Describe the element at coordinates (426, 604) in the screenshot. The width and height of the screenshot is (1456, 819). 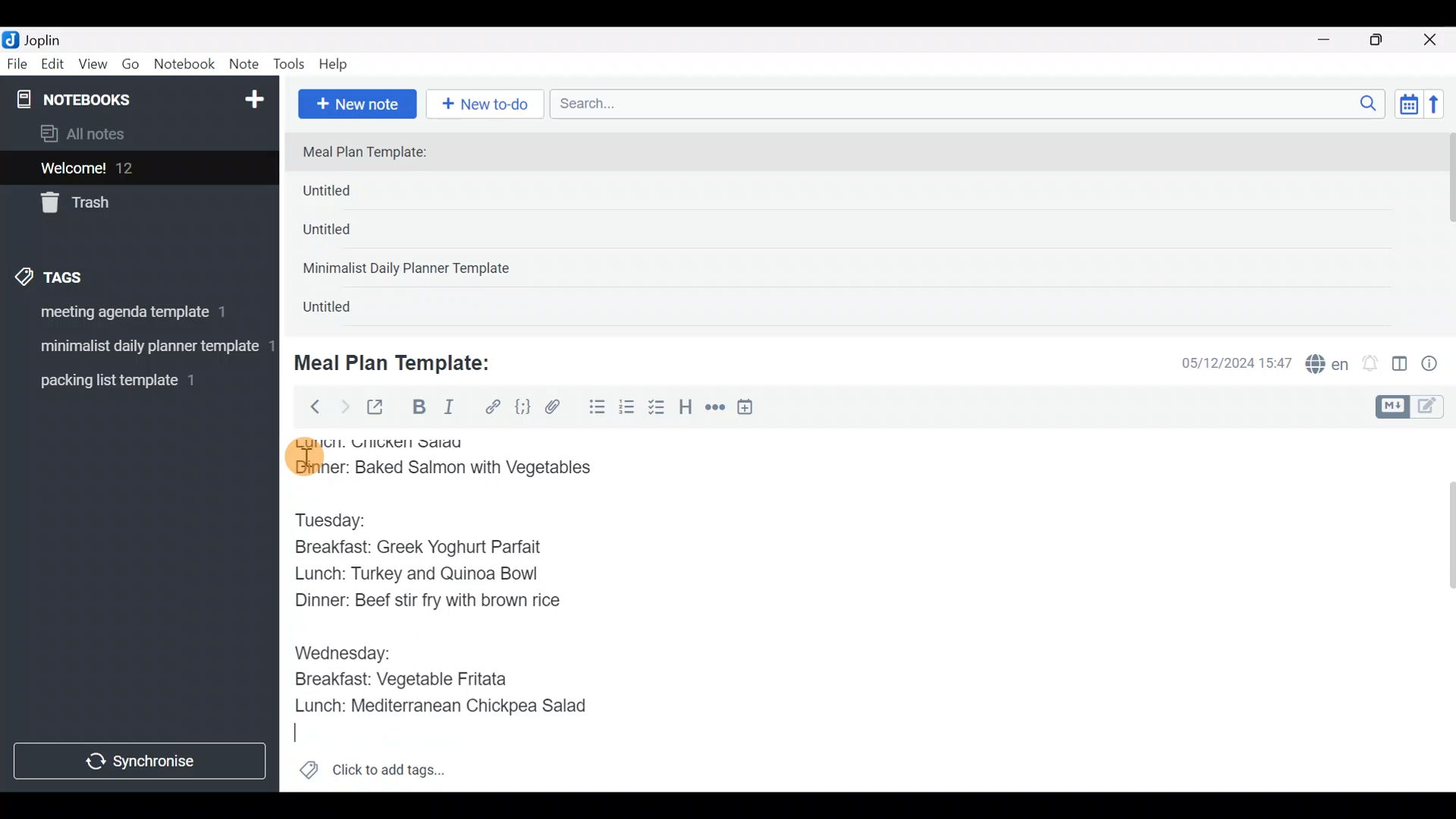
I see `Dinner: Beef stir fry with brown rice` at that location.